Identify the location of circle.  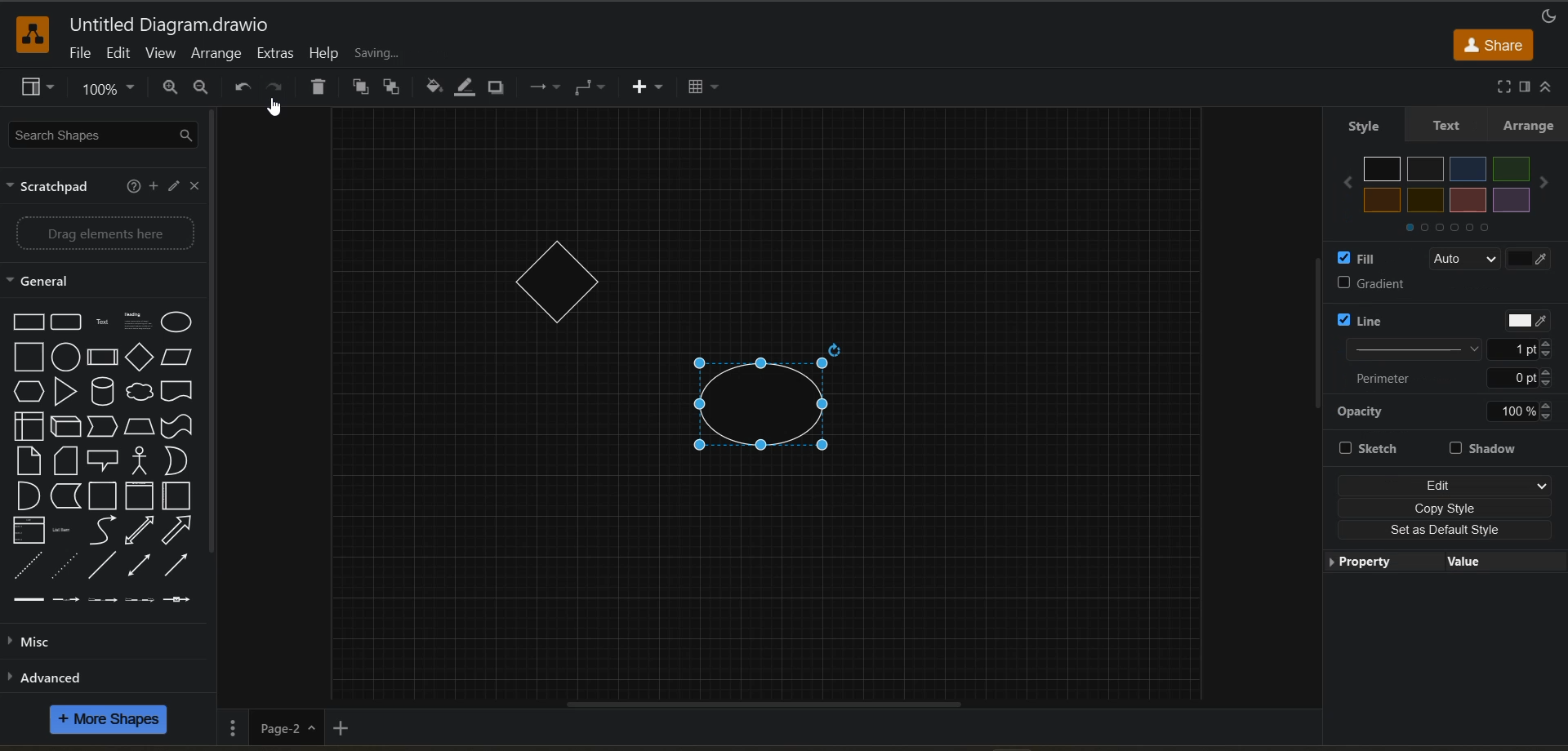
(65, 357).